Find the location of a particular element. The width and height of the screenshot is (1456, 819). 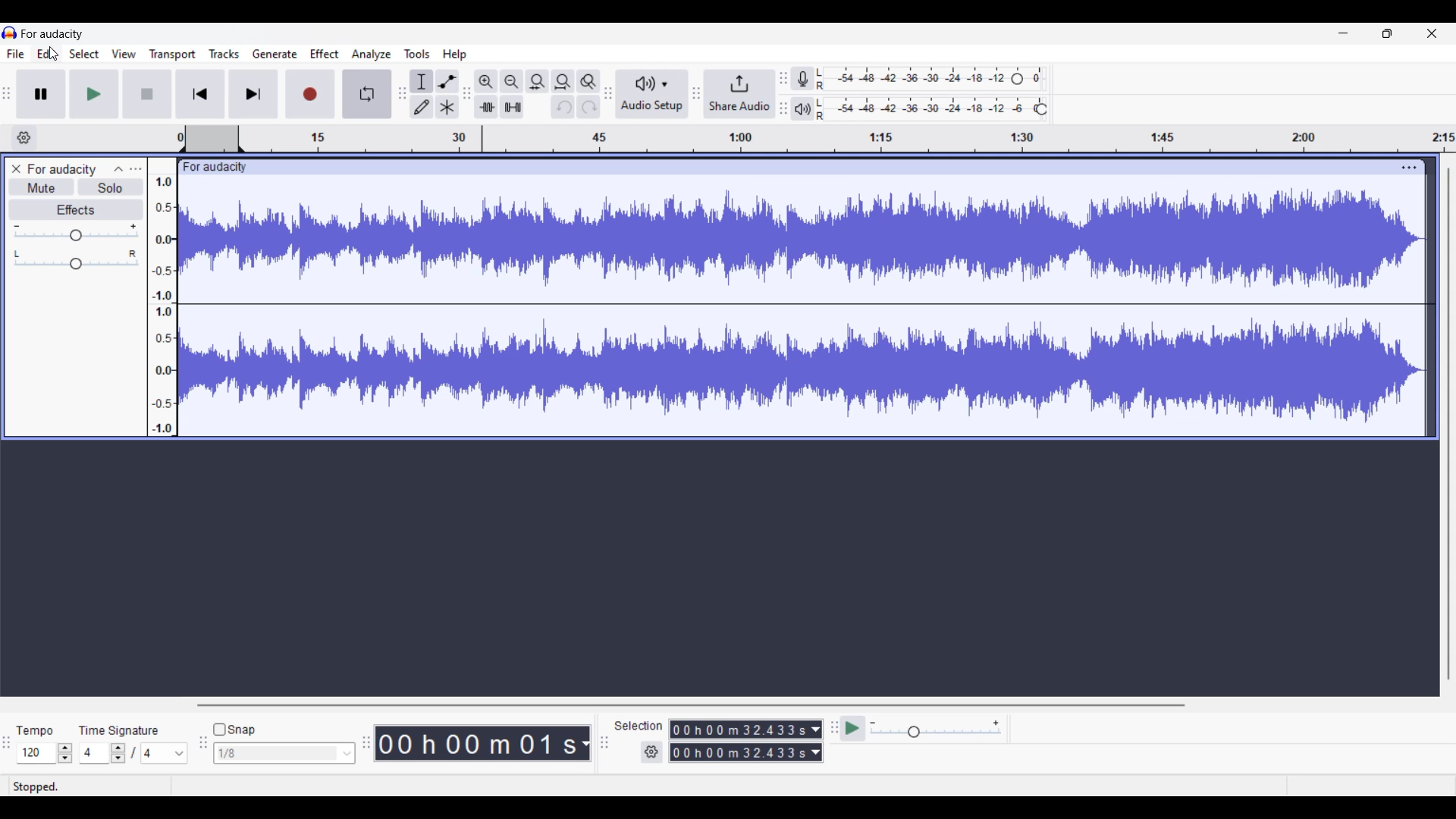

Enable looping is located at coordinates (367, 93).